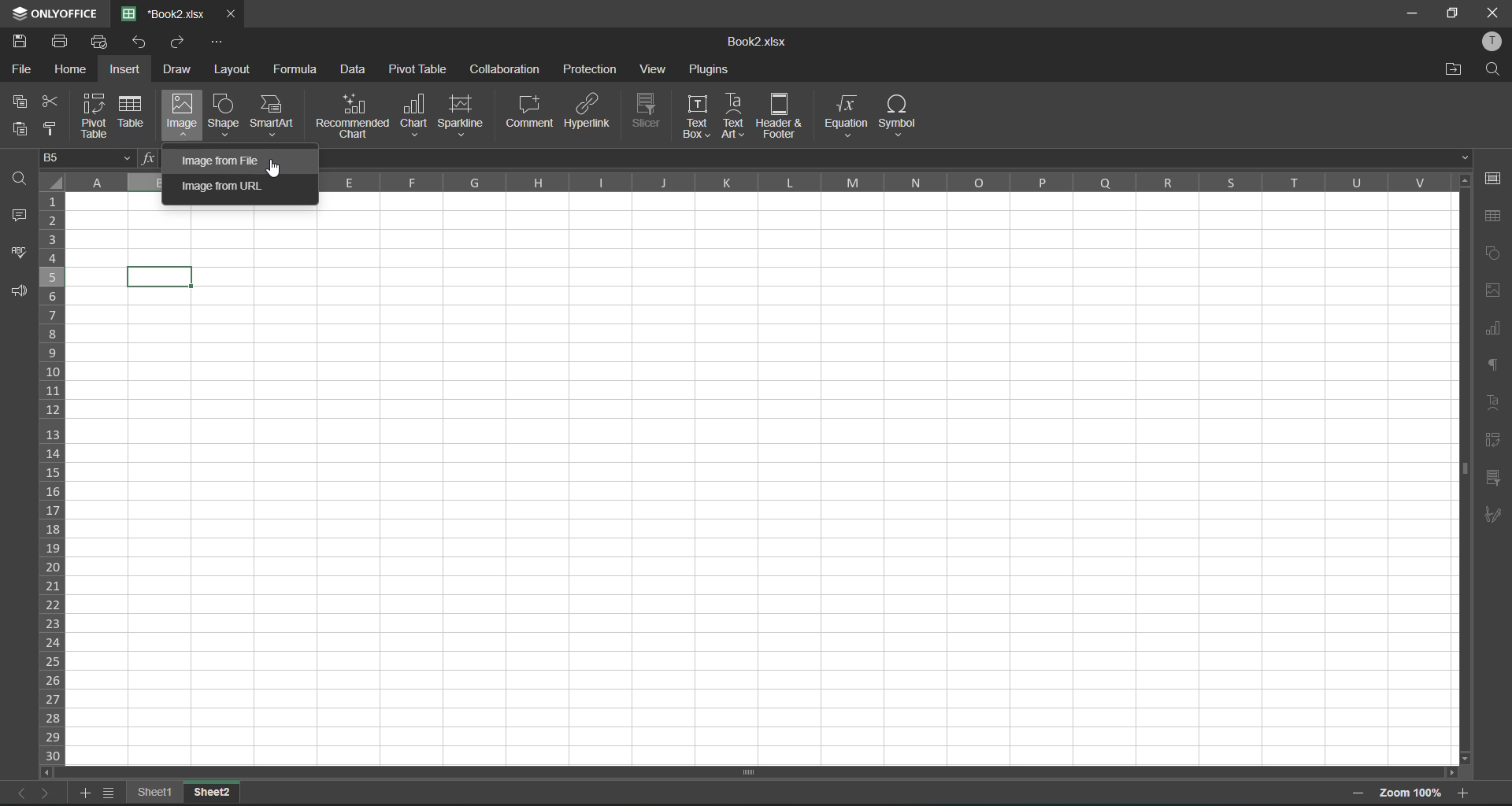 The width and height of the screenshot is (1512, 806). What do you see at coordinates (1494, 479) in the screenshot?
I see `slicer` at bounding box center [1494, 479].